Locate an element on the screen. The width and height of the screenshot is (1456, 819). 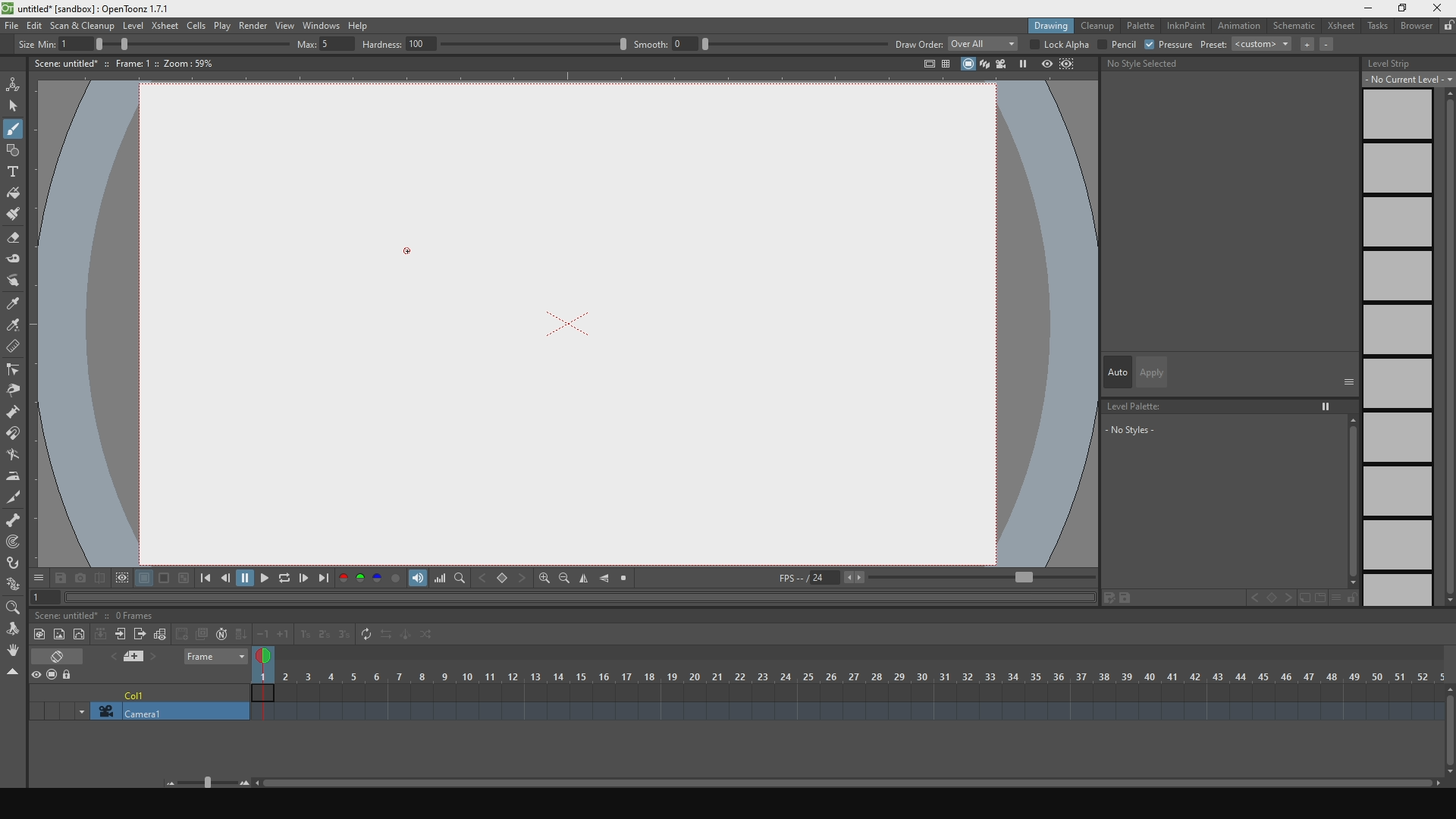
animate is located at coordinates (17, 83).